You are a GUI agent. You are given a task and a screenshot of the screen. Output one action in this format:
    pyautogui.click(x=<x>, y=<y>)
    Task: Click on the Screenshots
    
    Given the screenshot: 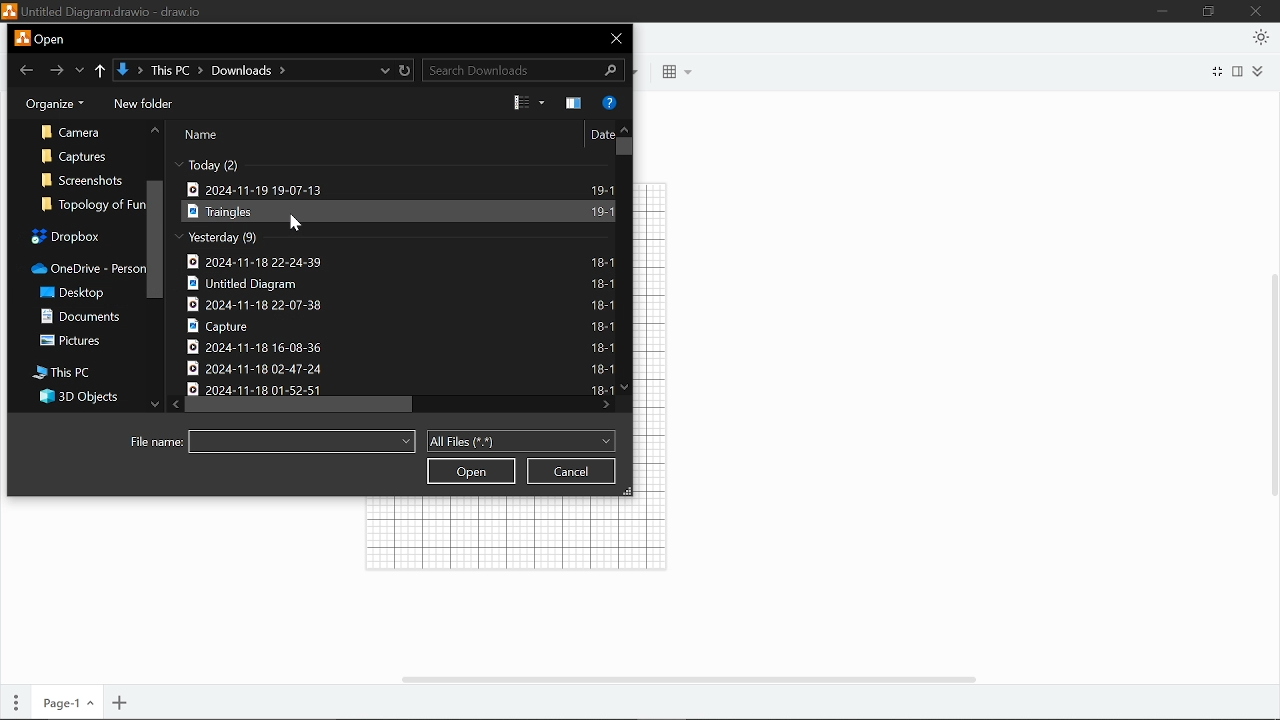 What is the action you would take?
    pyautogui.click(x=84, y=179)
    